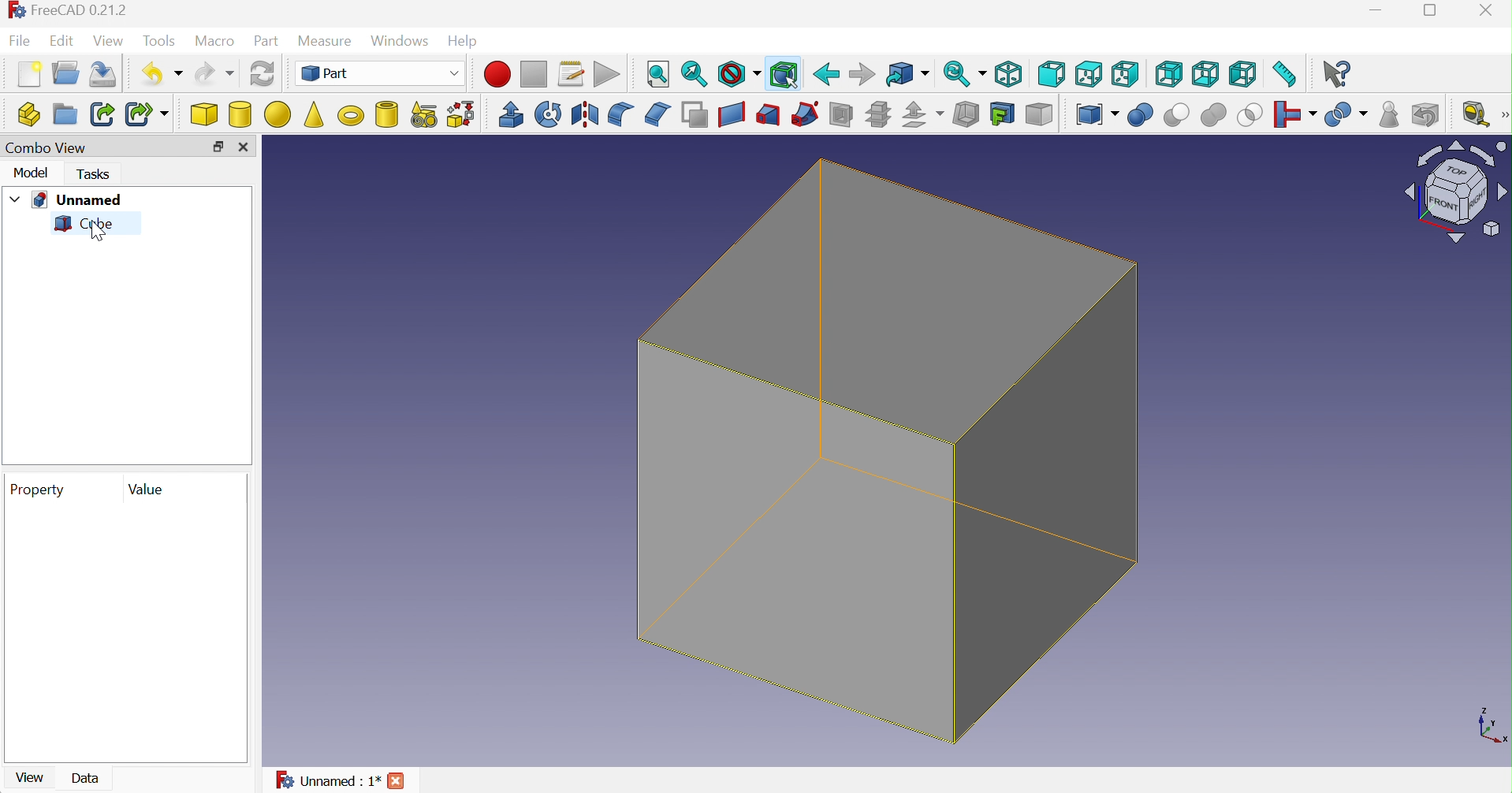  I want to click on Windows, so click(401, 41).